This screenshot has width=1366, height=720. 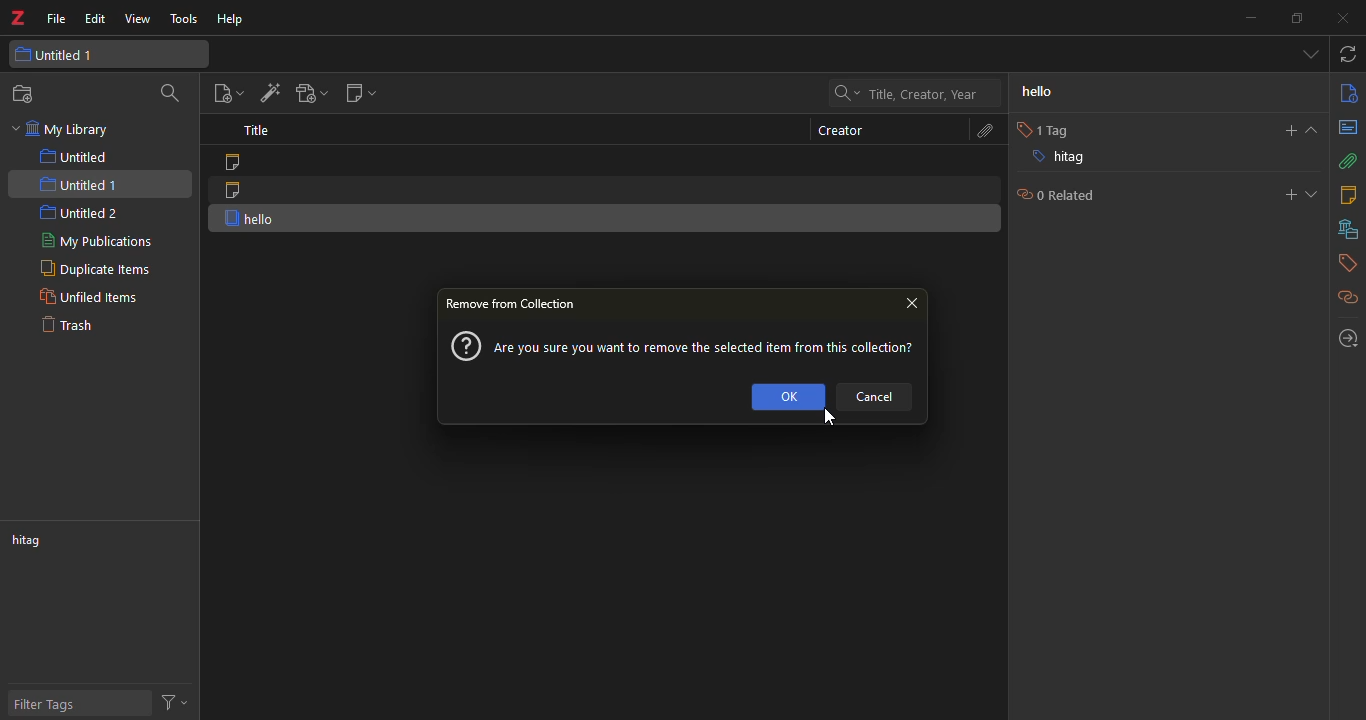 I want to click on attach, so click(x=977, y=133).